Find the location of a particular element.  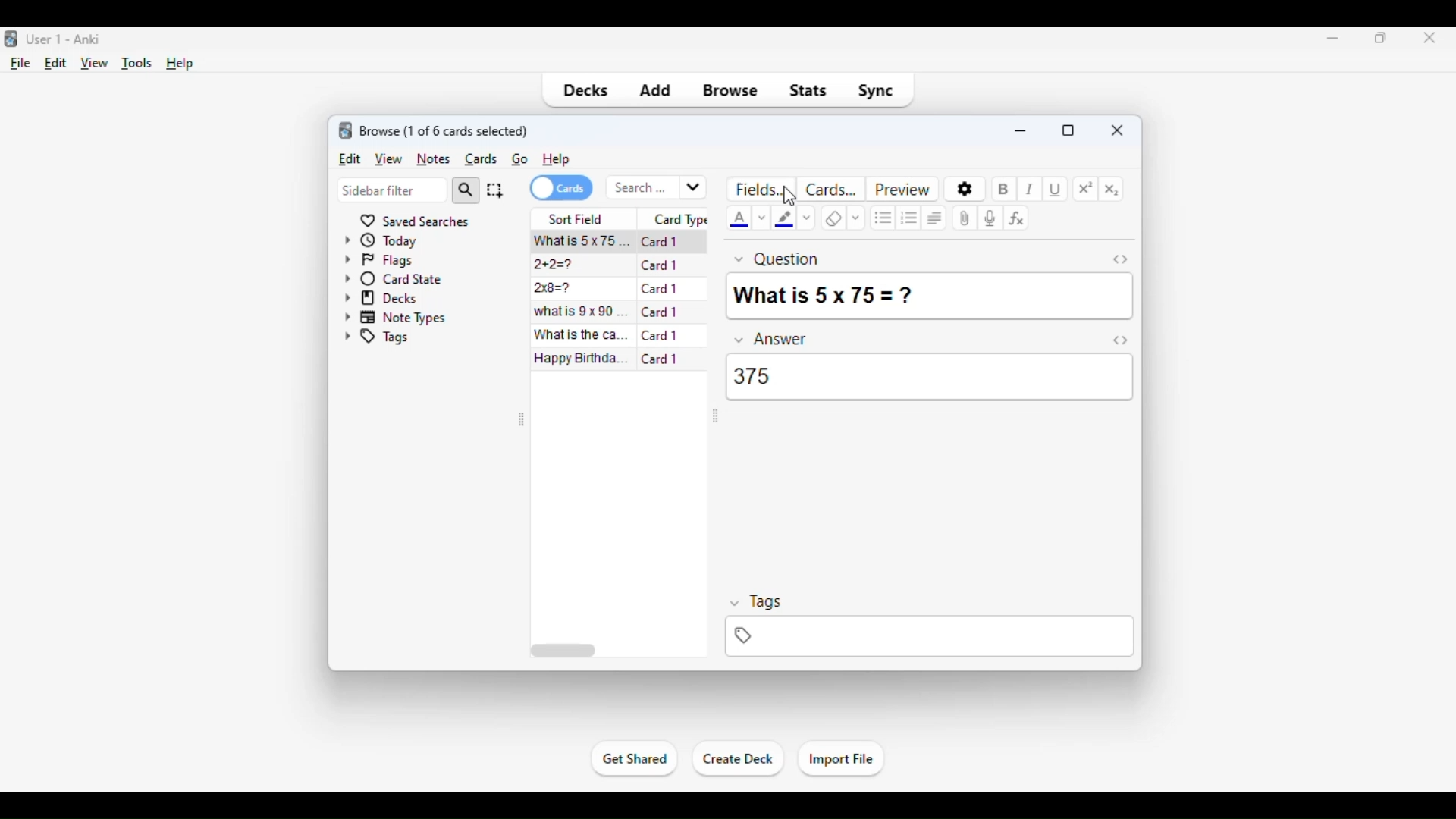

sync is located at coordinates (875, 91).